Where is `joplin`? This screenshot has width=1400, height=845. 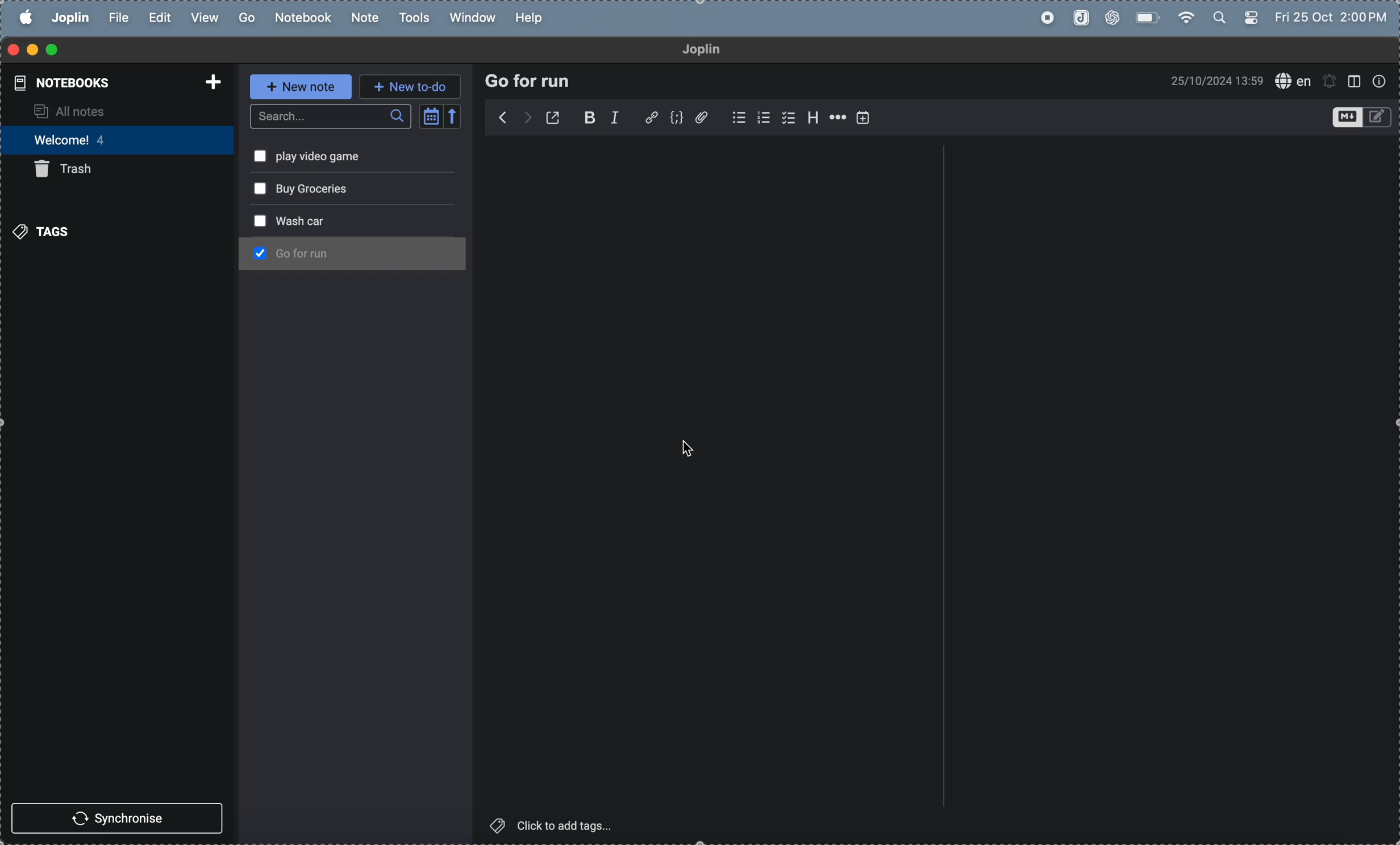
joplin is located at coordinates (1081, 20).